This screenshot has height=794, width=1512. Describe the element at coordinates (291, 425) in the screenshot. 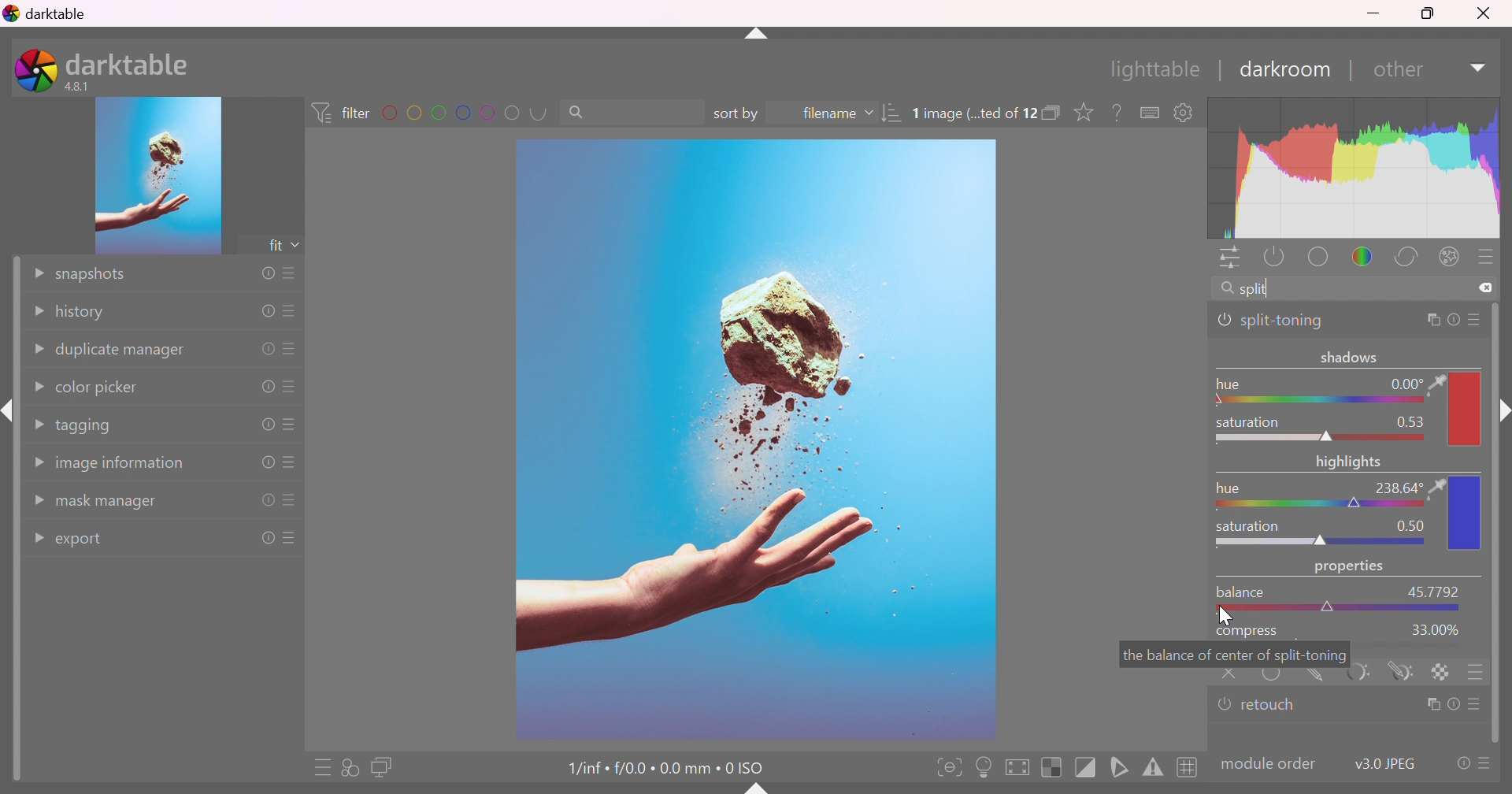

I see `presets` at that location.